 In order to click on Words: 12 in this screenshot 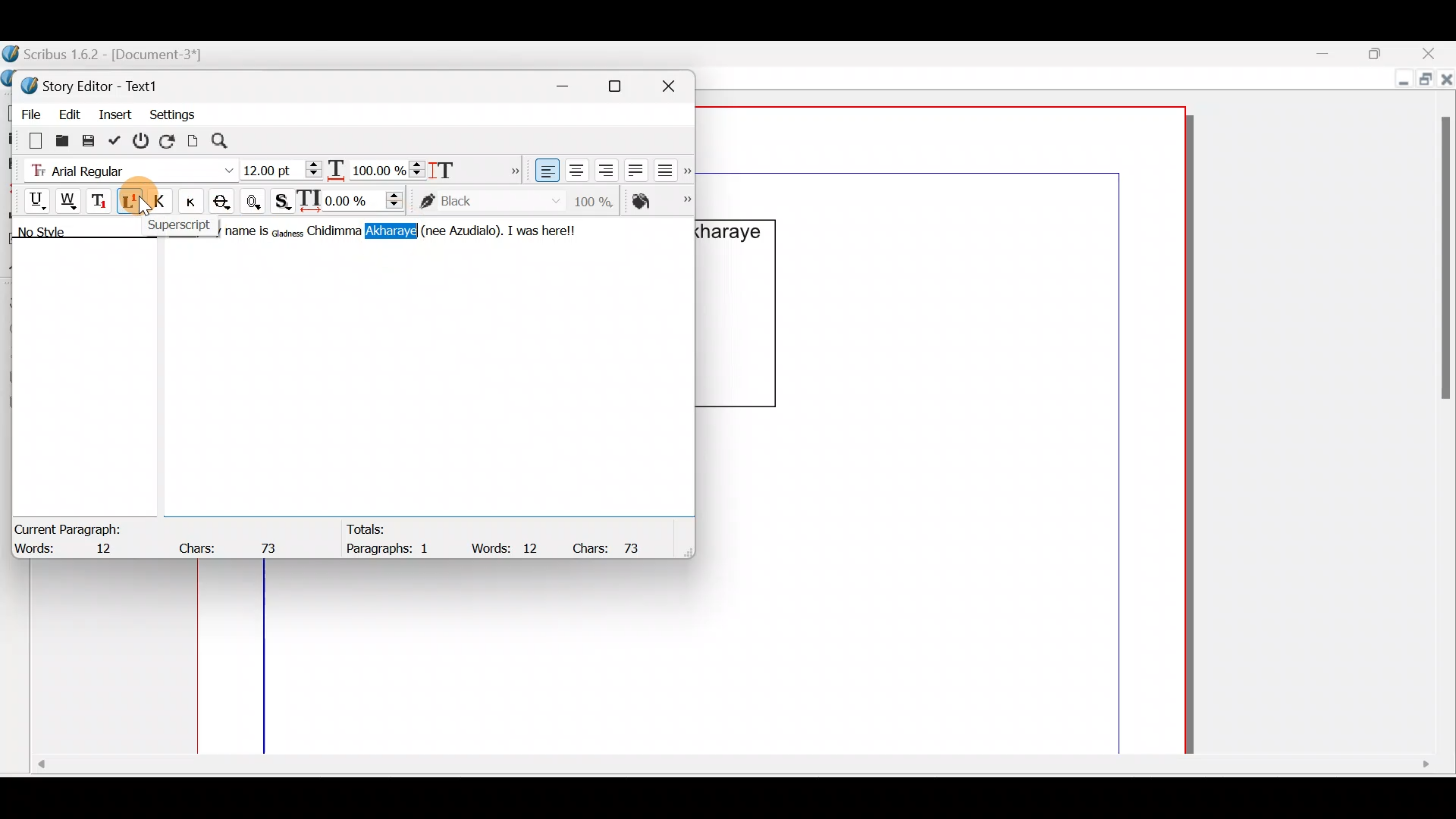, I will do `click(508, 548)`.